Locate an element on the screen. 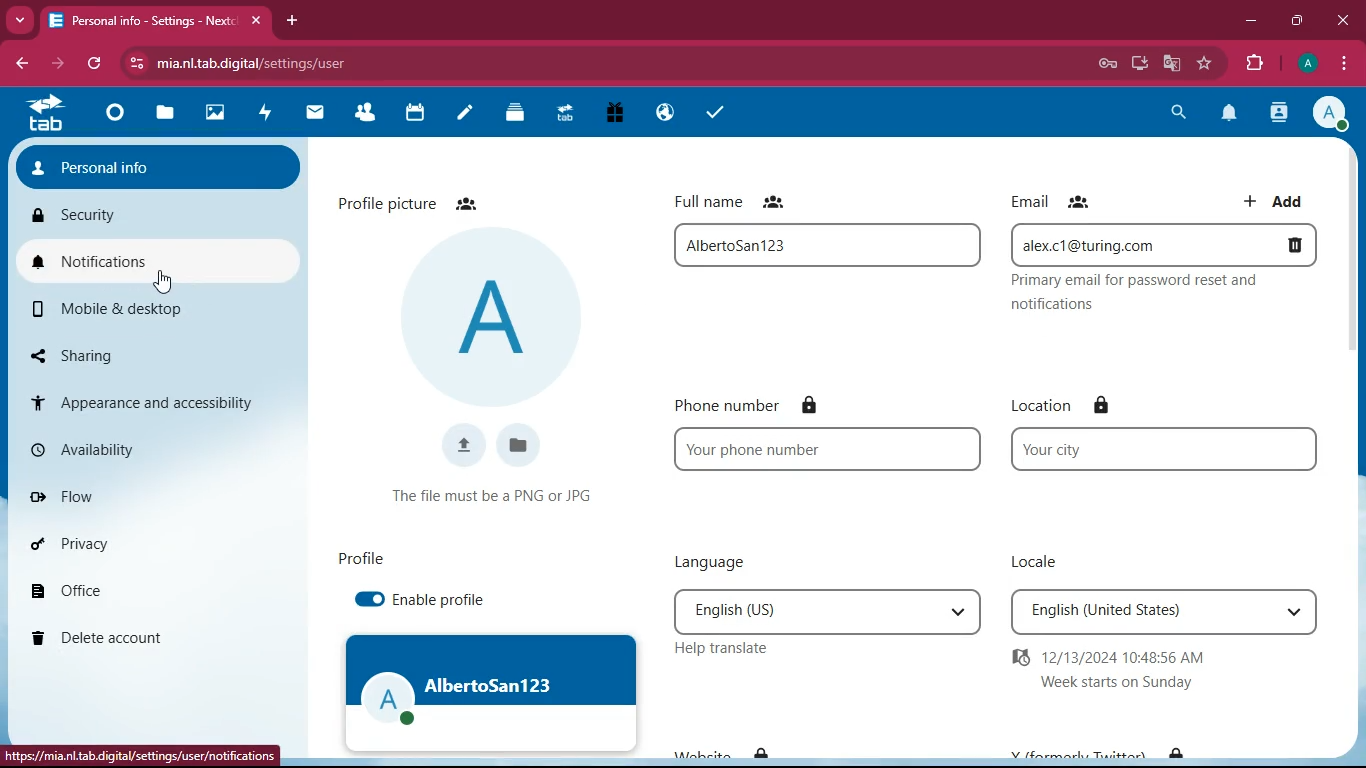  extensions is located at coordinates (1255, 66).